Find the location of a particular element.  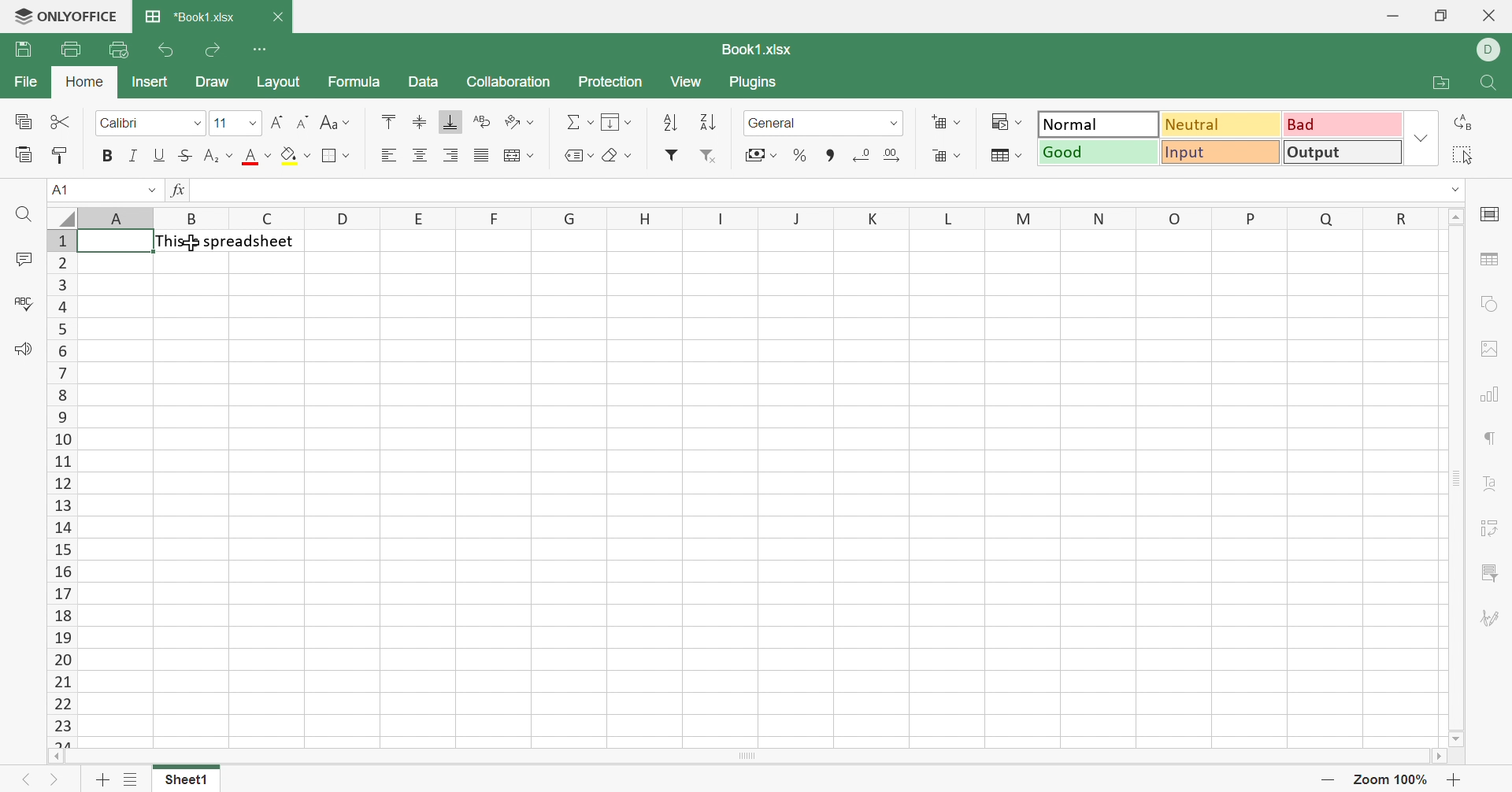

Drop Down is located at coordinates (894, 122).